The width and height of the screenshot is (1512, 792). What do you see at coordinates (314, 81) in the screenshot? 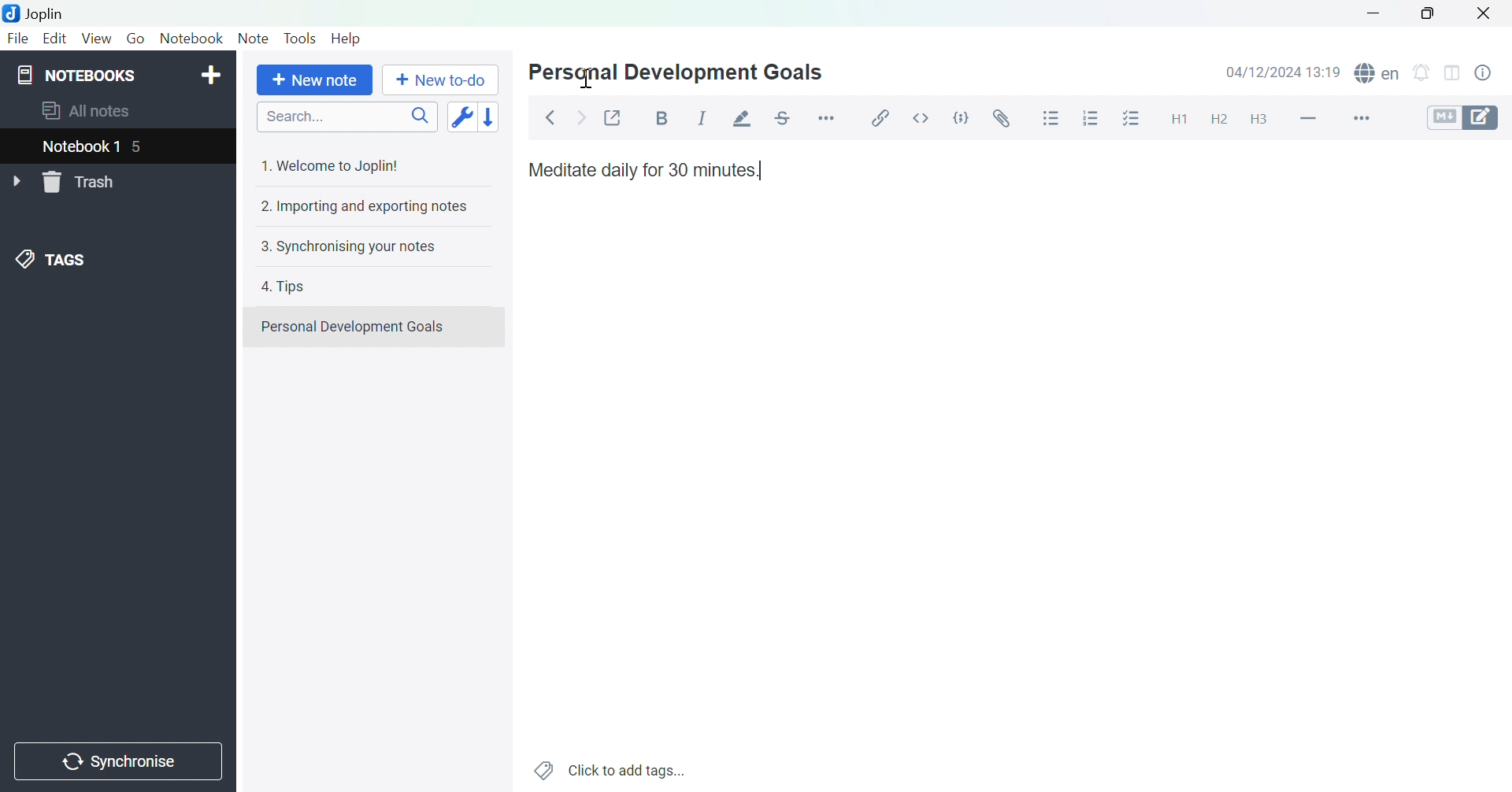
I see `New note` at bounding box center [314, 81].